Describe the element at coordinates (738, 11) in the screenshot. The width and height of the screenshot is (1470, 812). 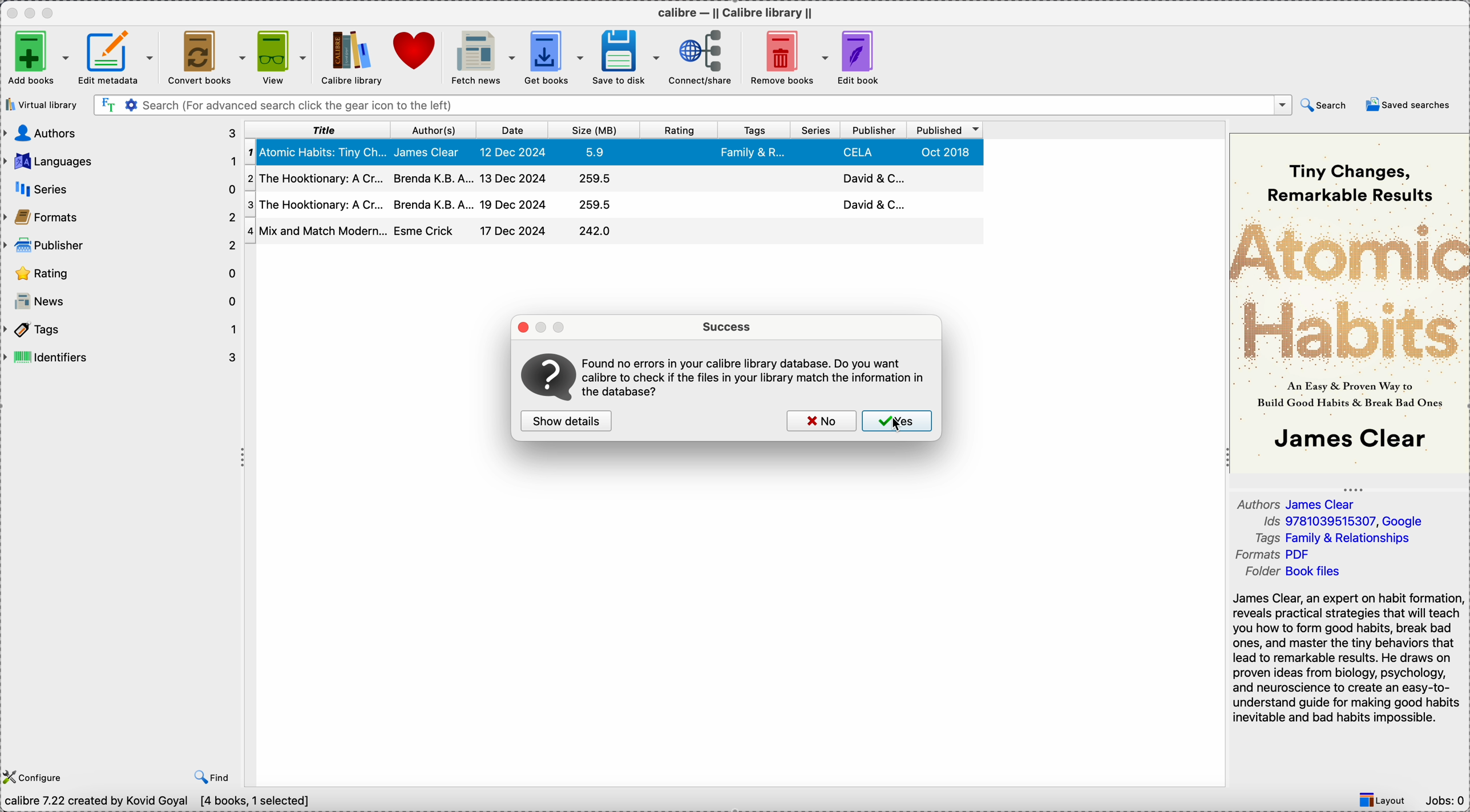
I see `Calibre` at that location.